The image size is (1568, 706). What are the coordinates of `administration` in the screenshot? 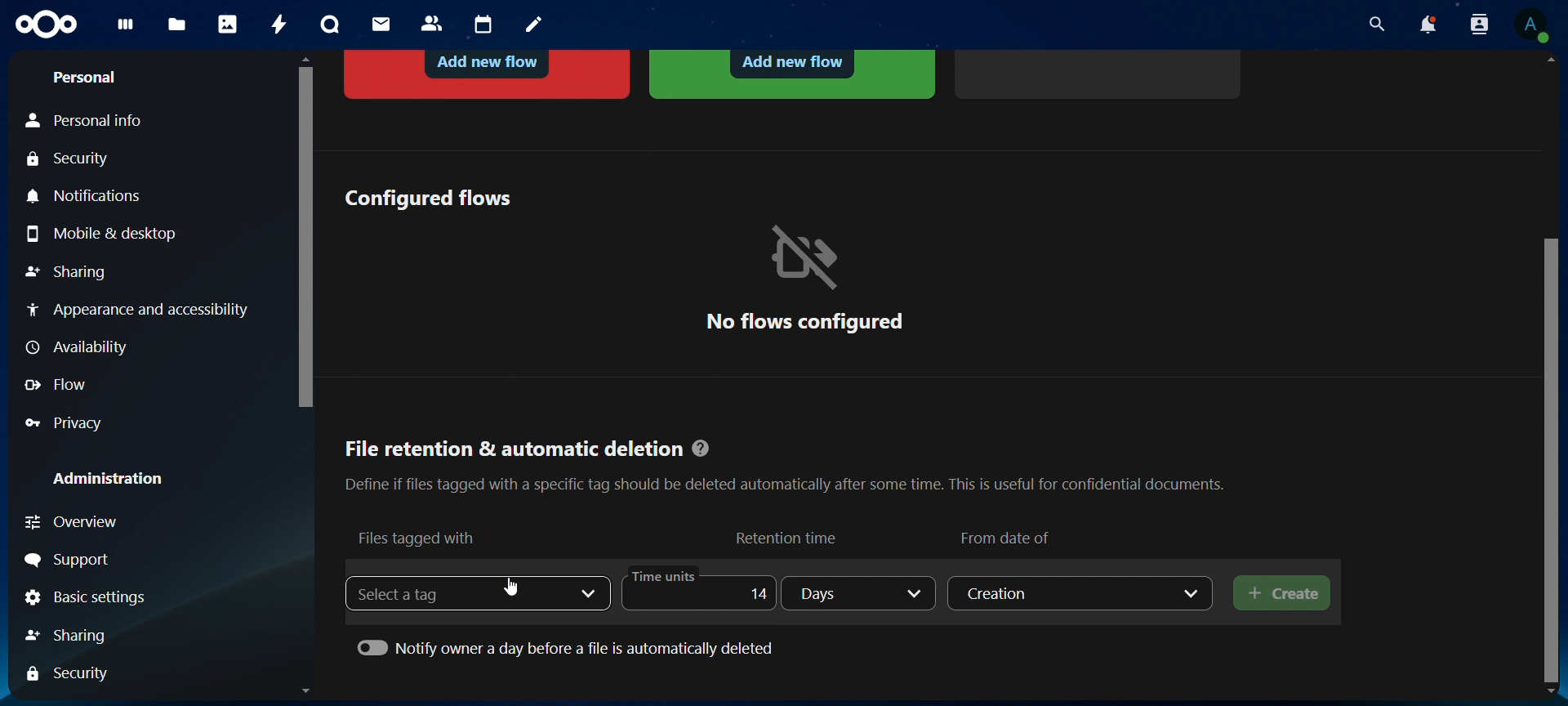 It's located at (109, 478).